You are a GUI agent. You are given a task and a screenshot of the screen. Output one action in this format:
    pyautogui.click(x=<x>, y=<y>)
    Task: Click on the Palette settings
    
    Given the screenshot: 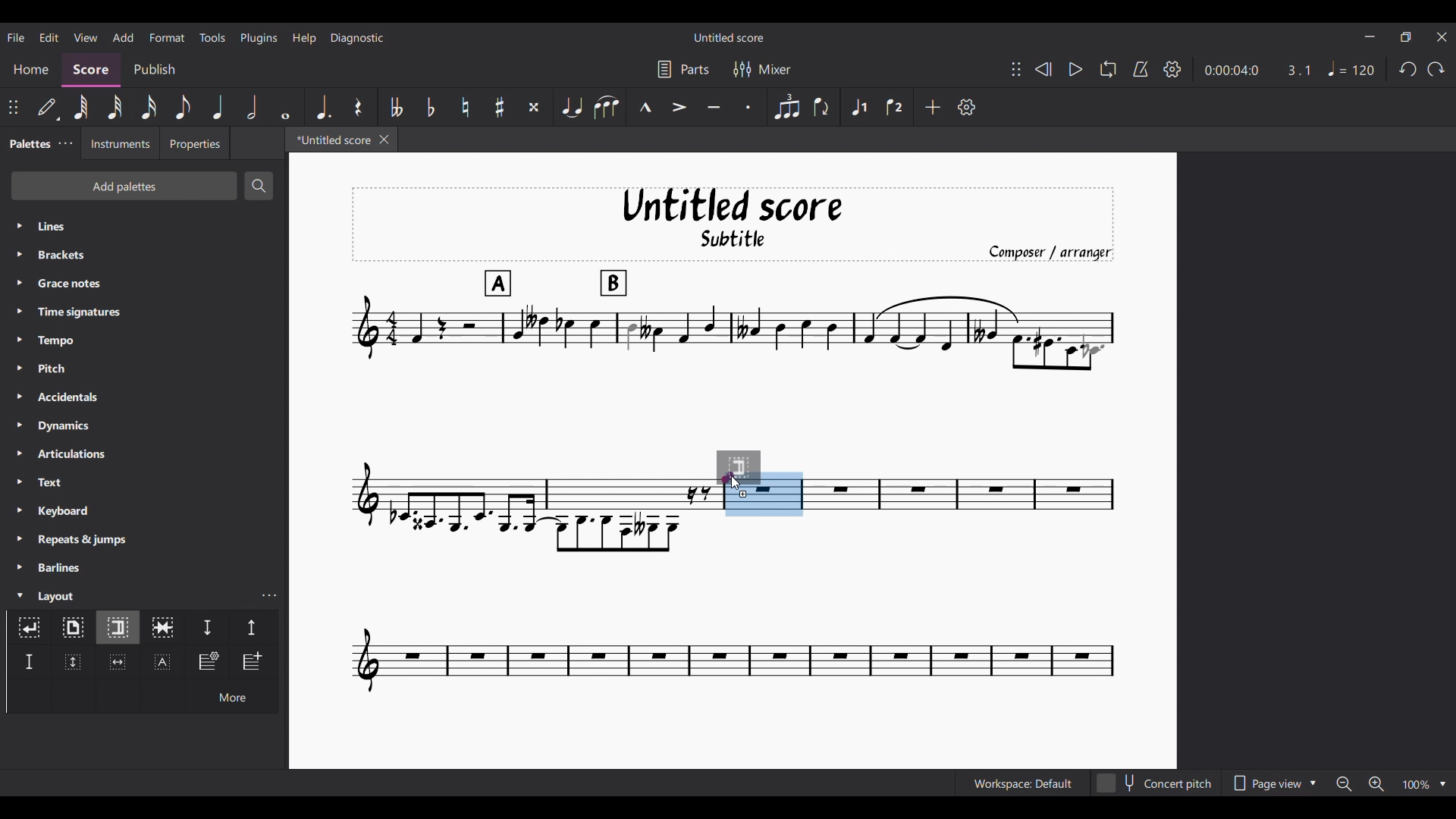 What is the action you would take?
    pyautogui.click(x=66, y=143)
    